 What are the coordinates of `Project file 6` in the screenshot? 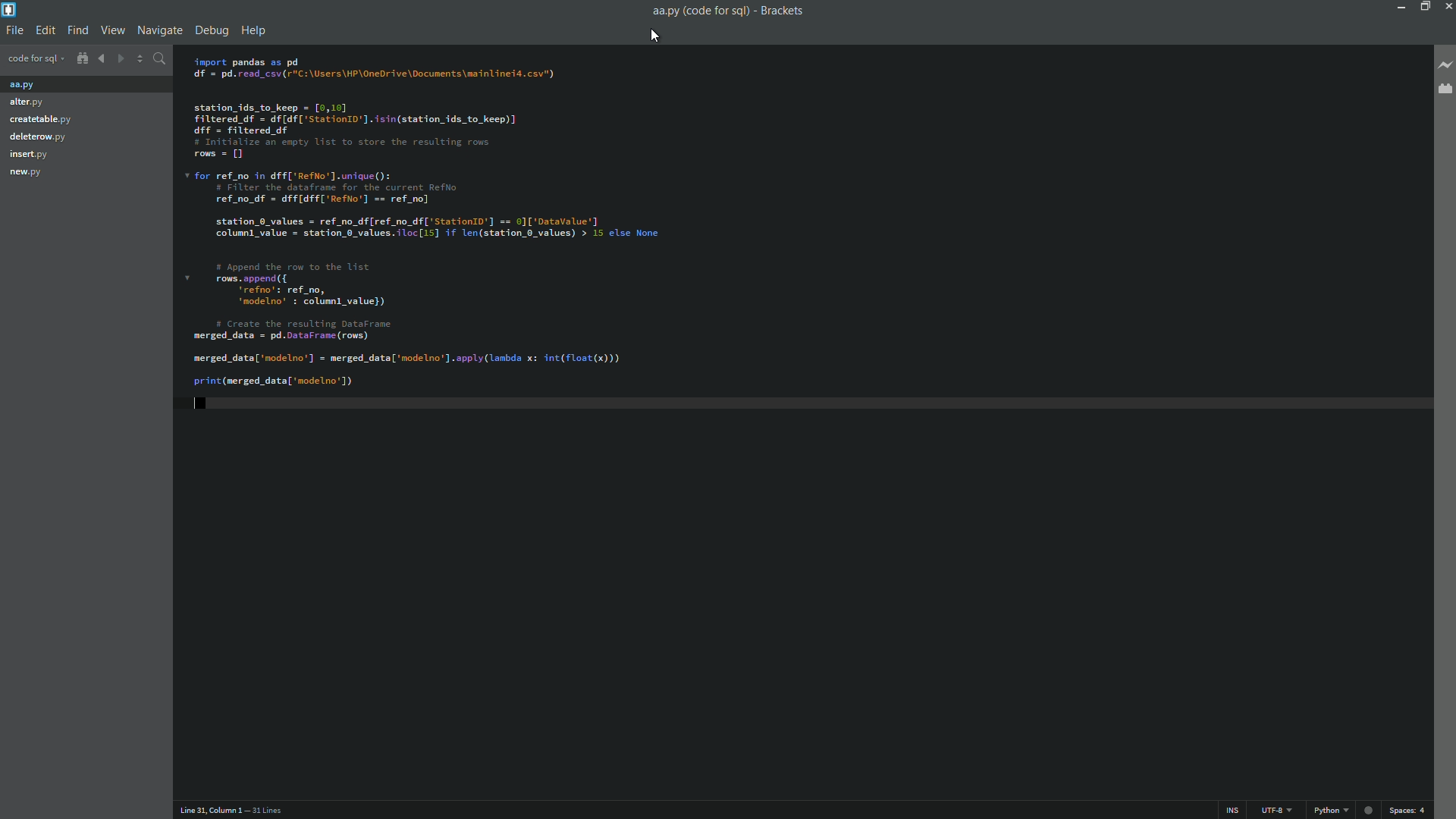 It's located at (38, 173).